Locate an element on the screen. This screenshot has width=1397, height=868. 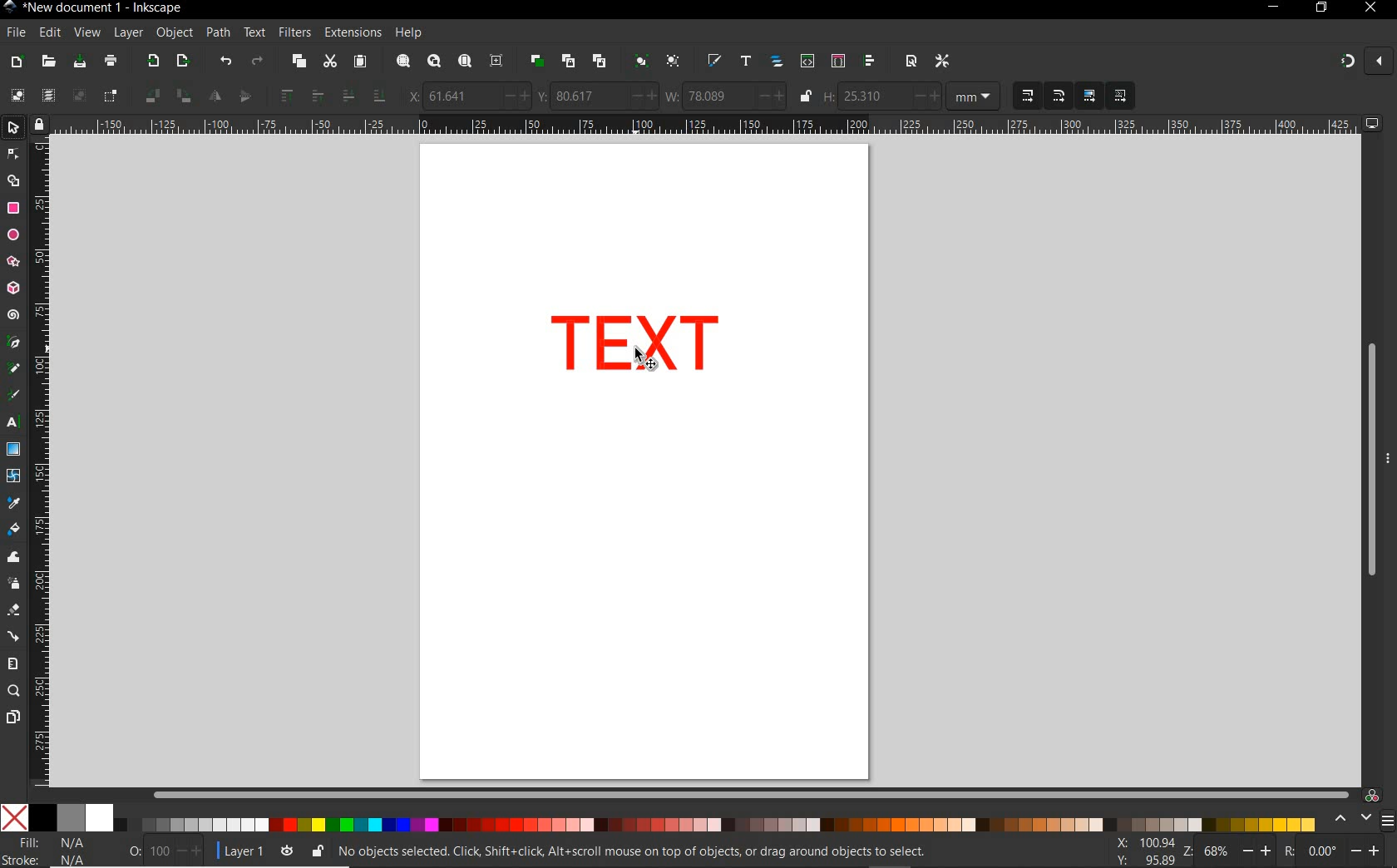
pages tool is located at coordinates (12, 718).